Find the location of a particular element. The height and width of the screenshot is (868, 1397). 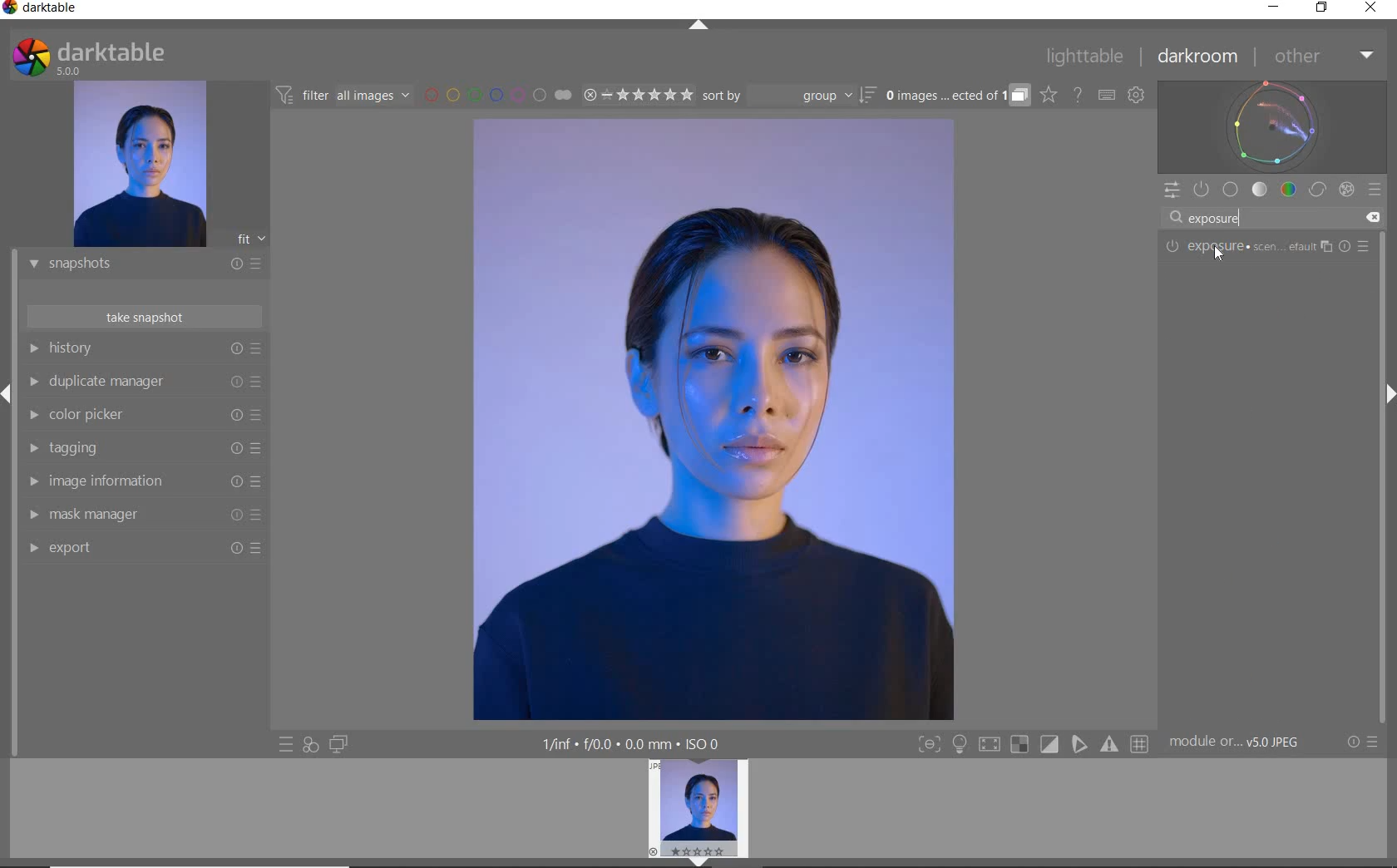

COLOR PICKER is located at coordinates (141, 416).